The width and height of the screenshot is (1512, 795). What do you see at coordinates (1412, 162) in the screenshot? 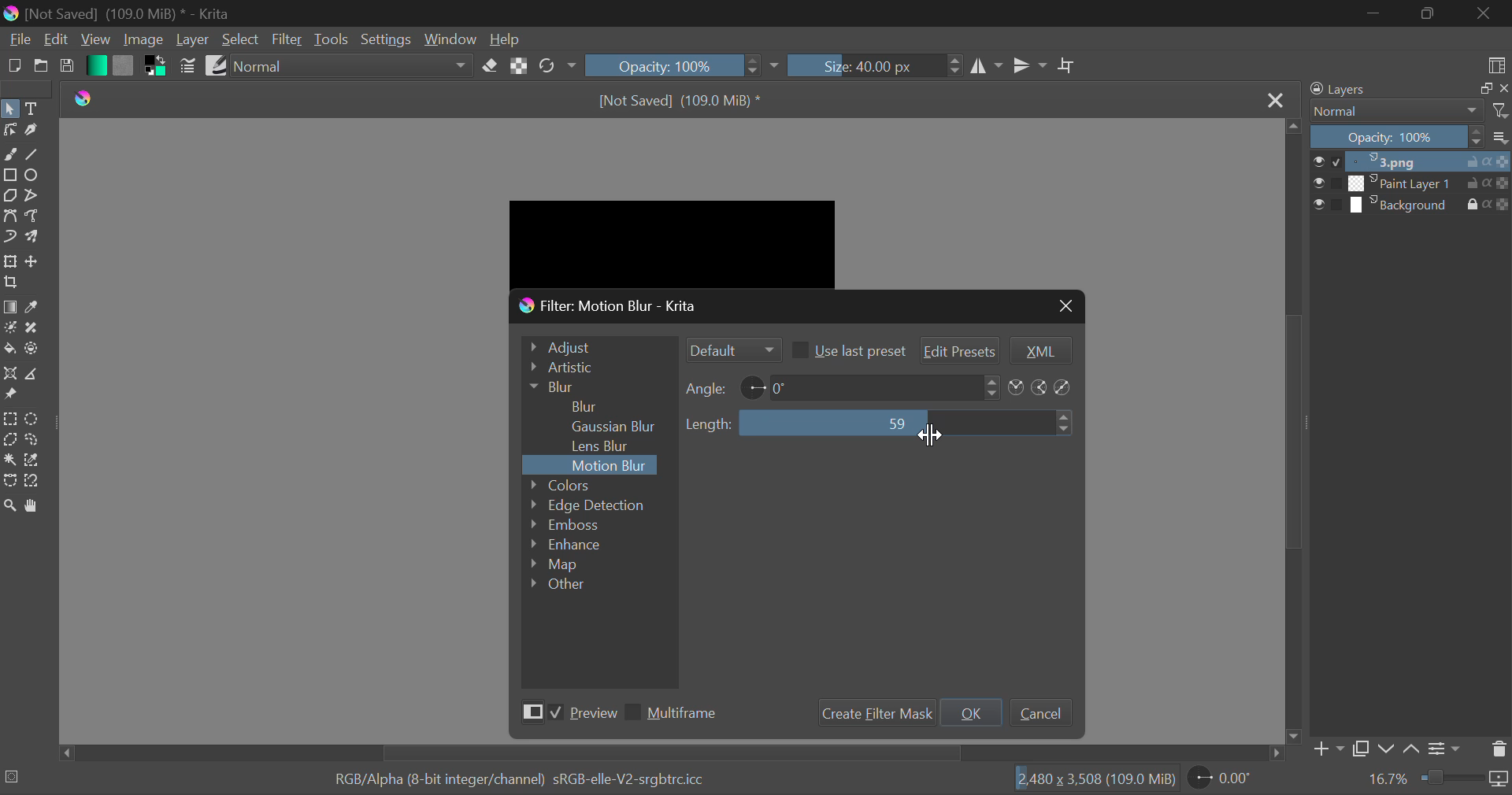
I see `3.png` at bounding box center [1412, 162].